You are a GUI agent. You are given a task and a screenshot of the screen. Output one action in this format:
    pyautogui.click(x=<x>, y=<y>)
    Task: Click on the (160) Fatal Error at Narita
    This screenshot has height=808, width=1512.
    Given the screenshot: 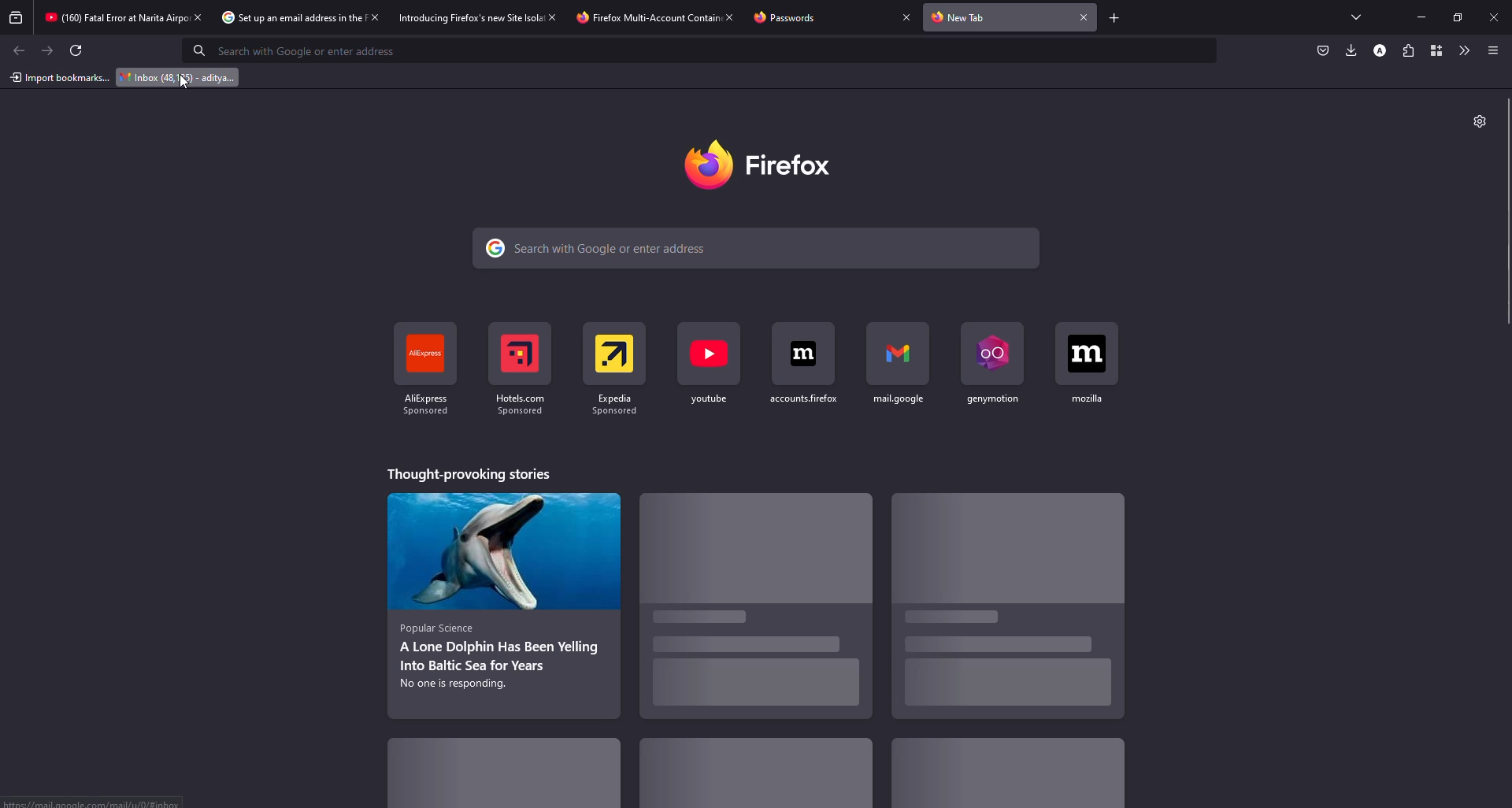 What is the action you would take?
    pyautogui.click(x=105, y=17)
    